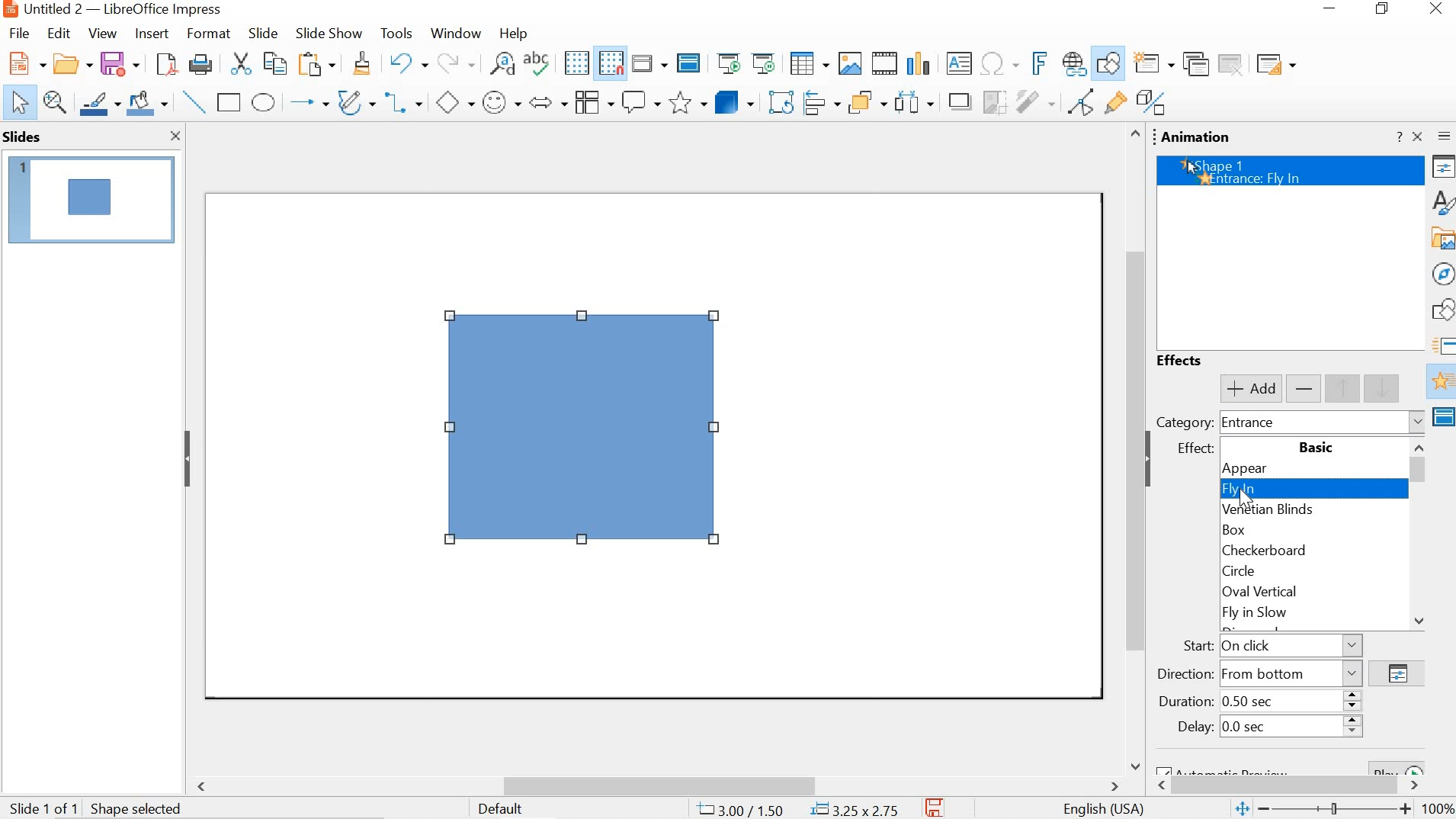  What do you see at coordinates (918, 64) in the screenshot?
I see `insert chart` at bounding box center [918, 64].